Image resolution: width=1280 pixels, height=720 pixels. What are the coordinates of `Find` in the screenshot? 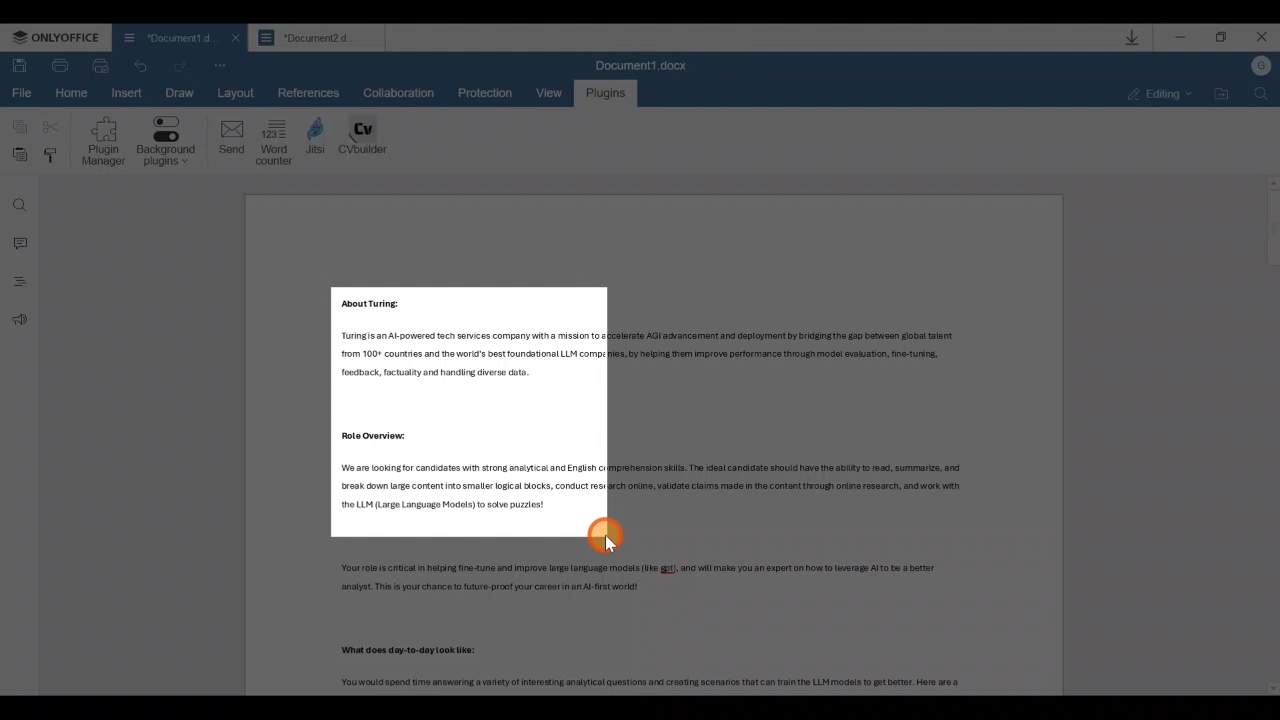 It's located at (1262, 98).